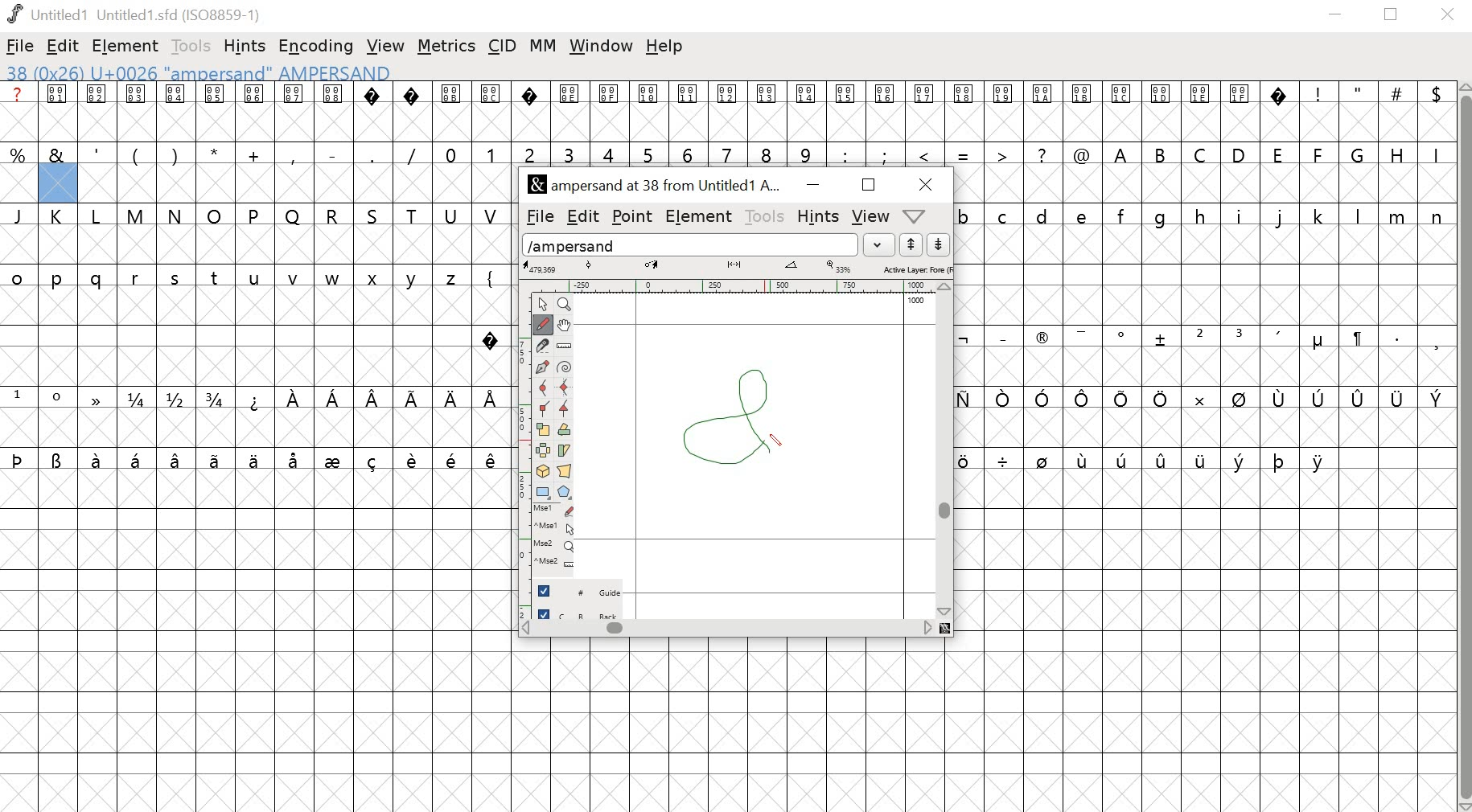  Describe the element at coordinates (779, 441) in the screenshot. I see `pen position(cursor)` at that location.